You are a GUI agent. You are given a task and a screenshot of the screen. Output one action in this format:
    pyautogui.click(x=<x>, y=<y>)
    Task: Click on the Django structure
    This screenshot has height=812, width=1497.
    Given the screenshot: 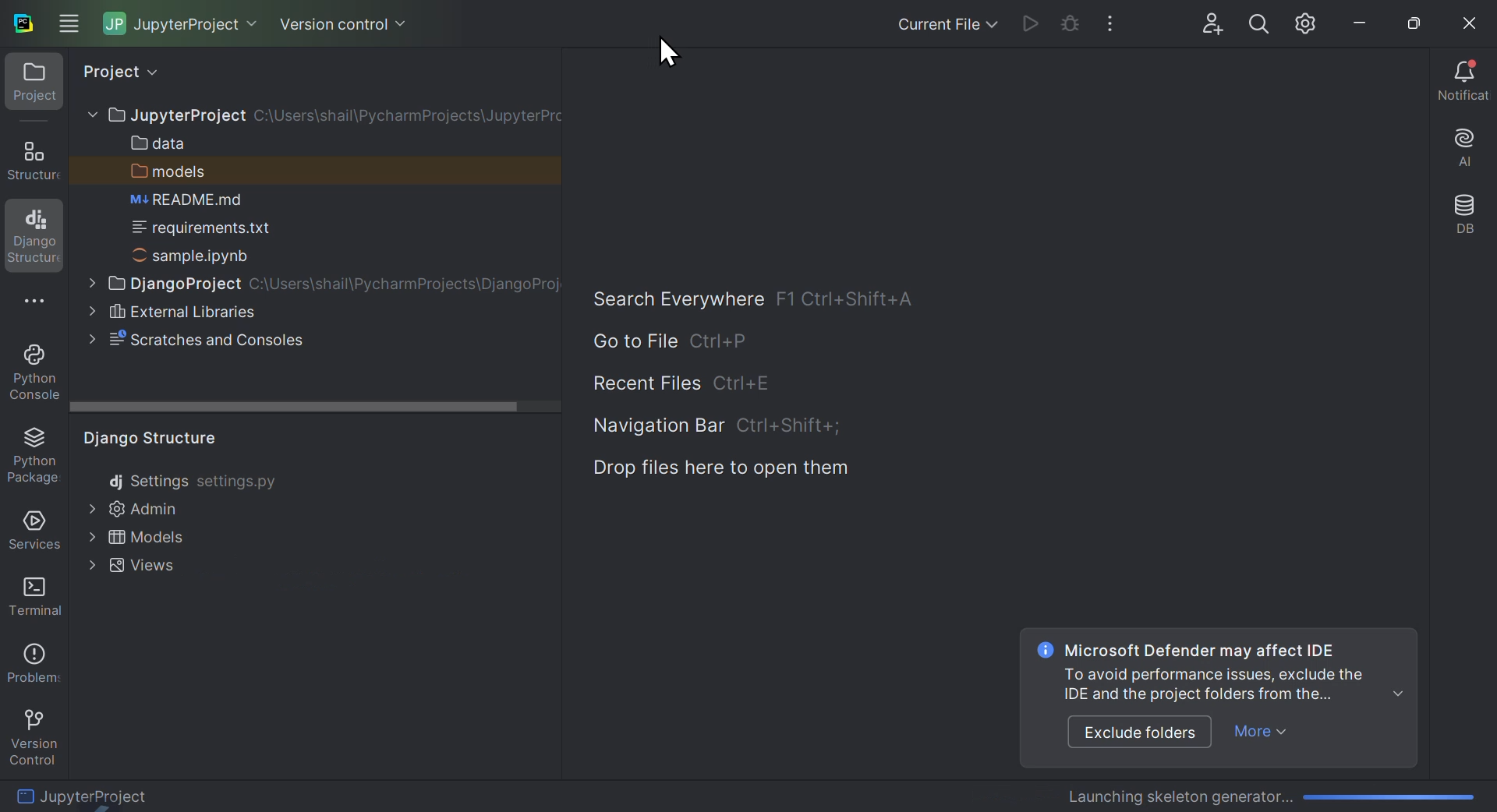 What is the action you would take?
    pyautogui.click(x=33, y=160)
    